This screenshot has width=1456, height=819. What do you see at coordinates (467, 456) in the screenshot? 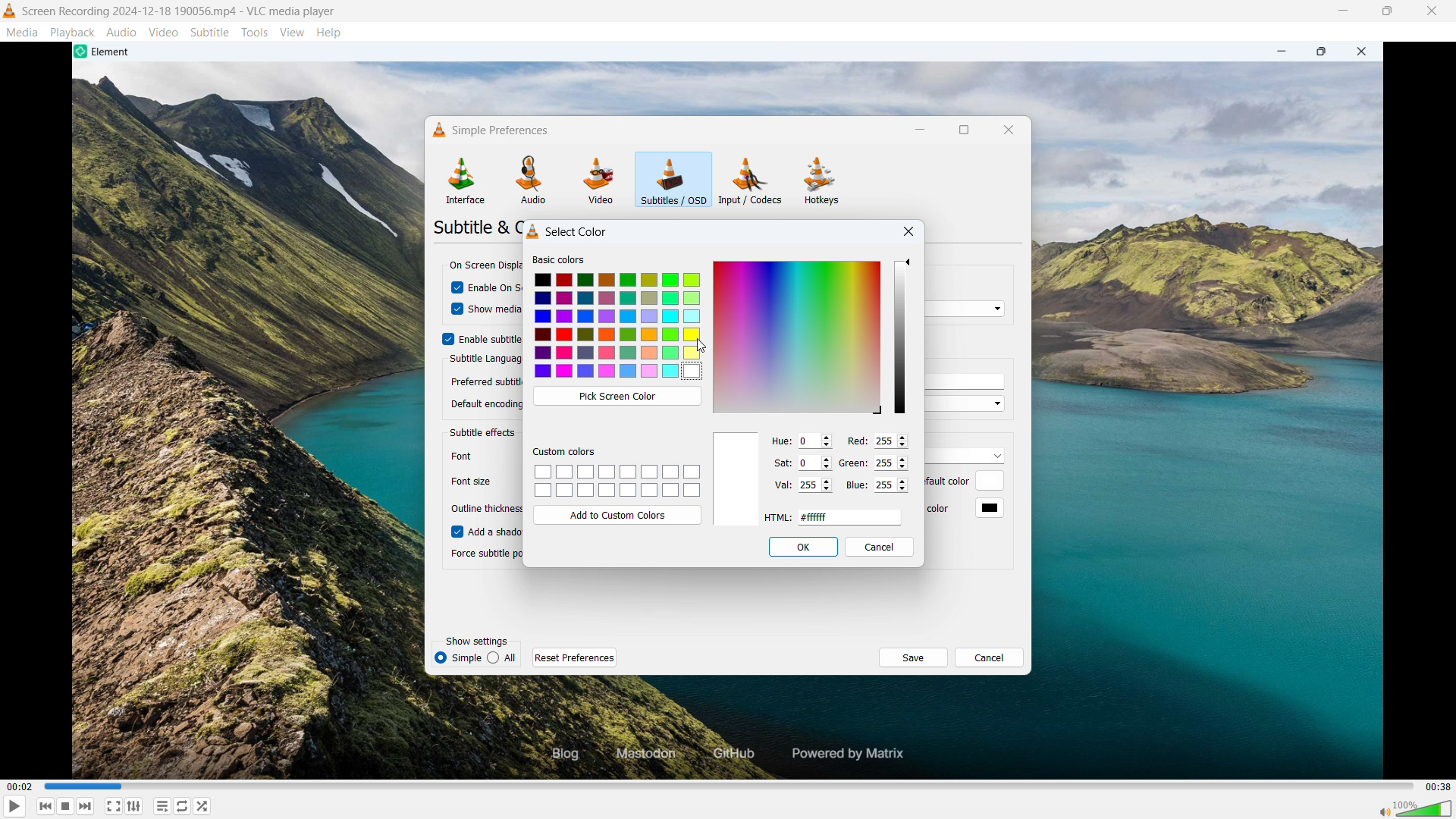
I see `font` at bounding box center [467, 456].